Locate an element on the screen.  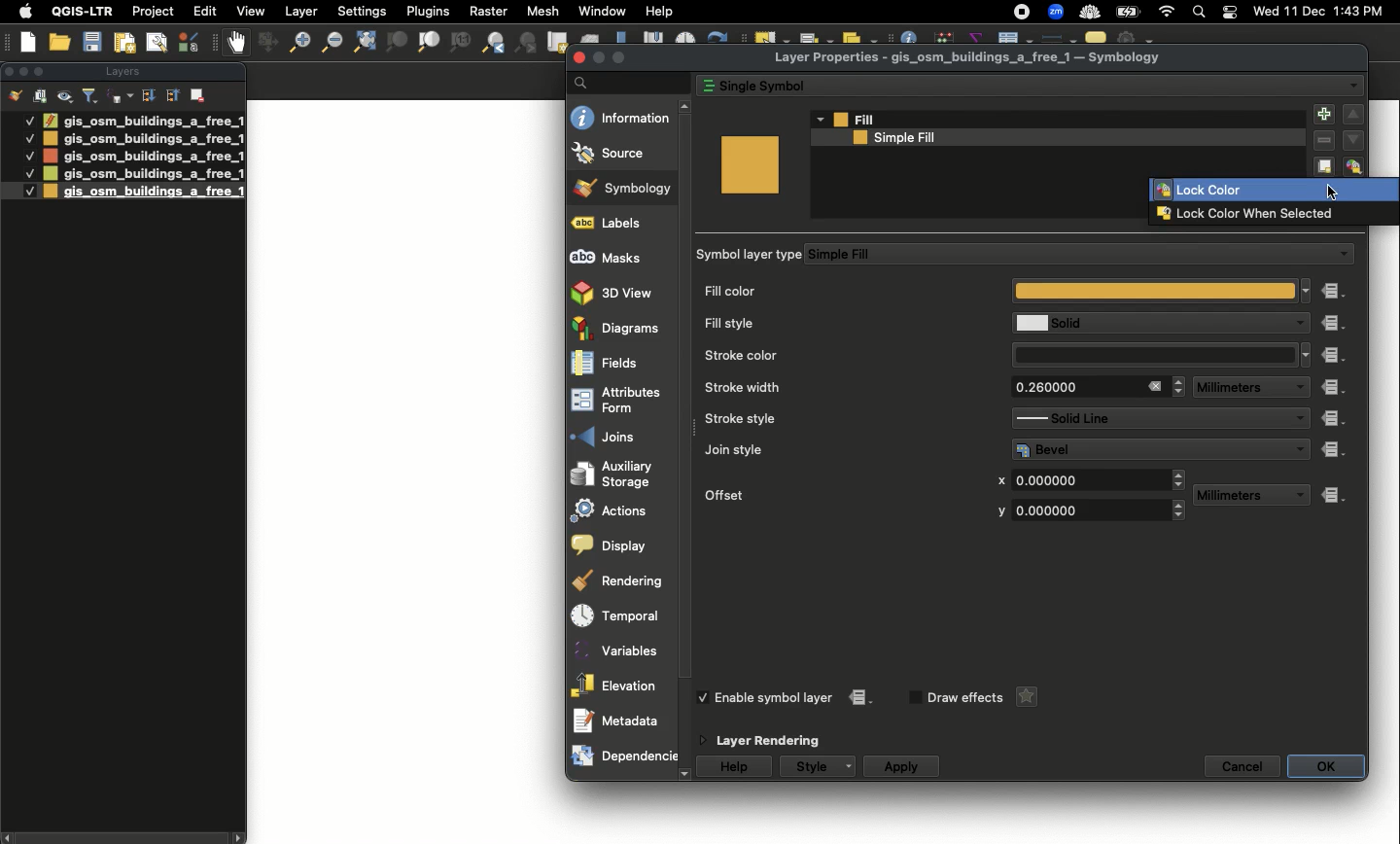
Help is located at coordinates (736, 767).